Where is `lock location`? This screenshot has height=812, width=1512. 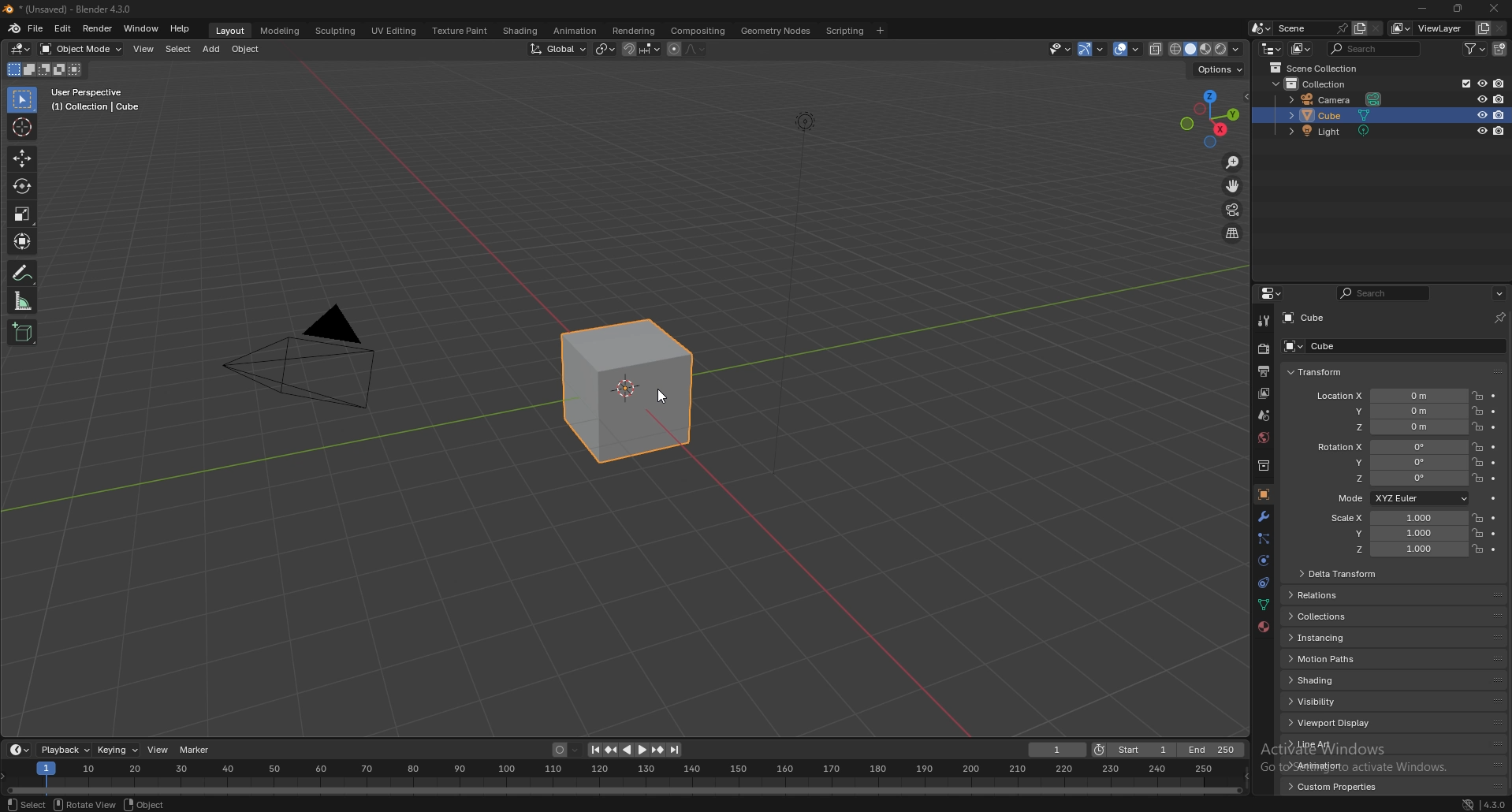
lock location is located at coordinates (1478, 426).